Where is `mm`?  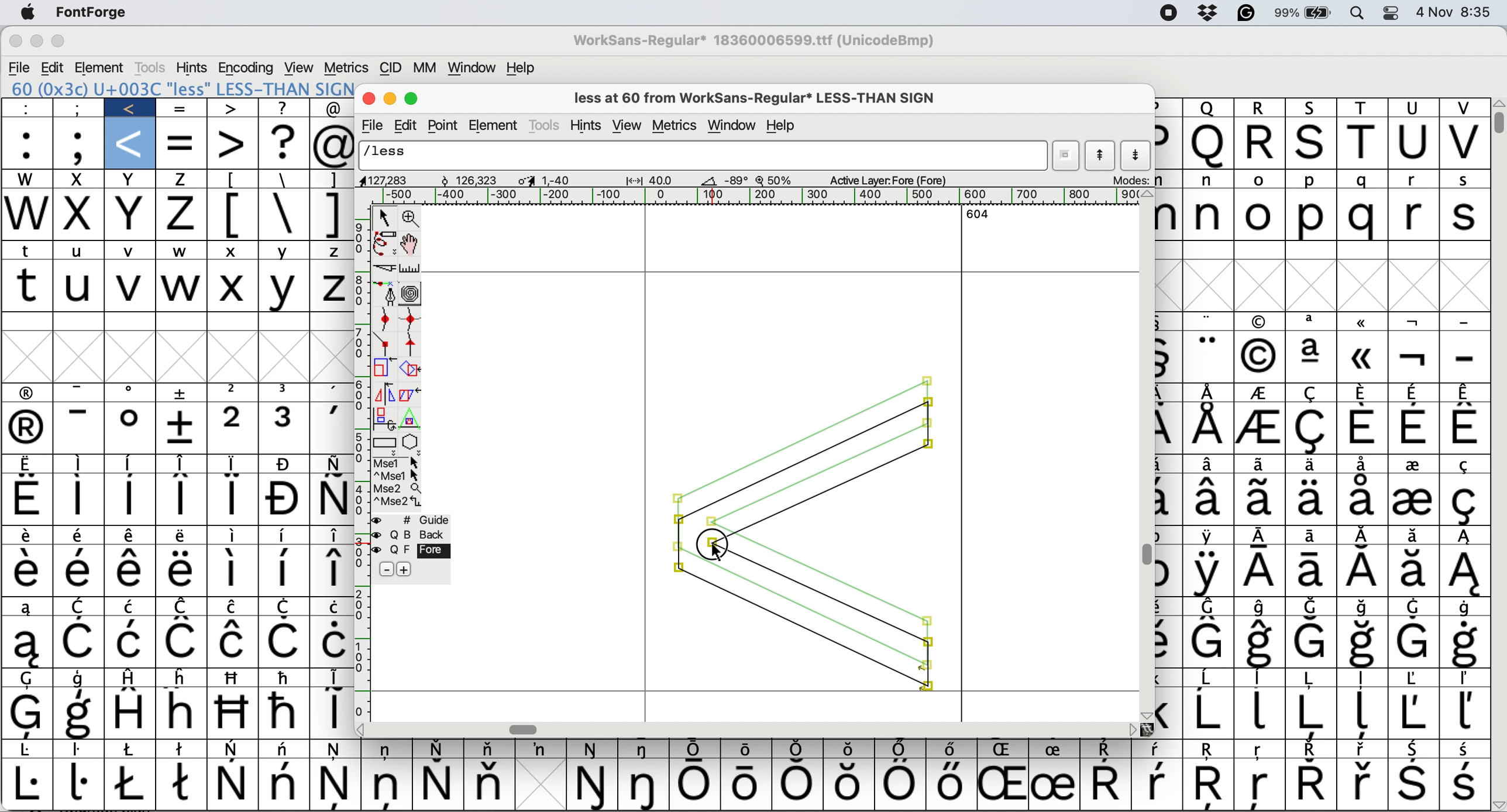 mm is located at coordinates (426, 67).